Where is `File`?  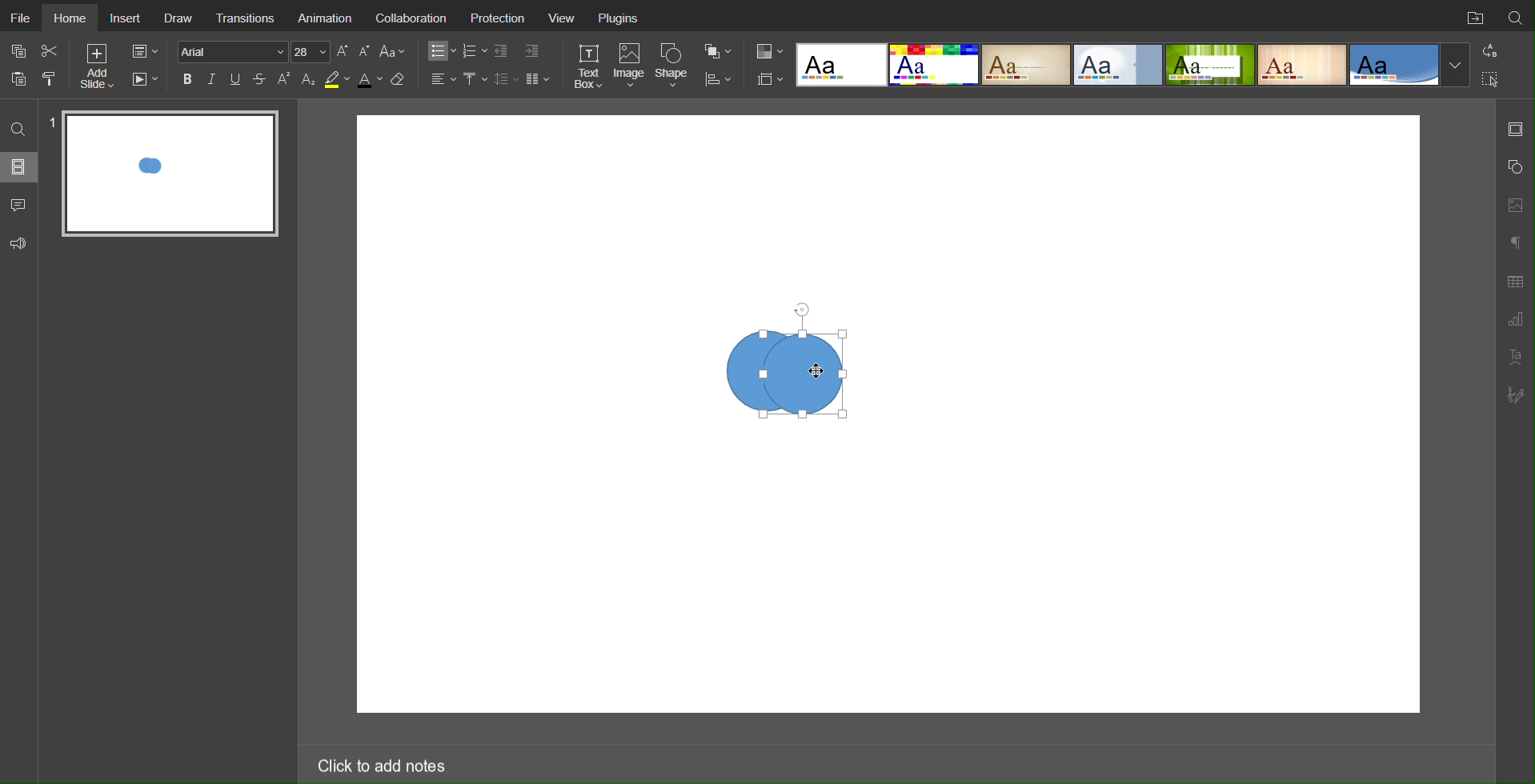 File is located at coordinates (22, 18).